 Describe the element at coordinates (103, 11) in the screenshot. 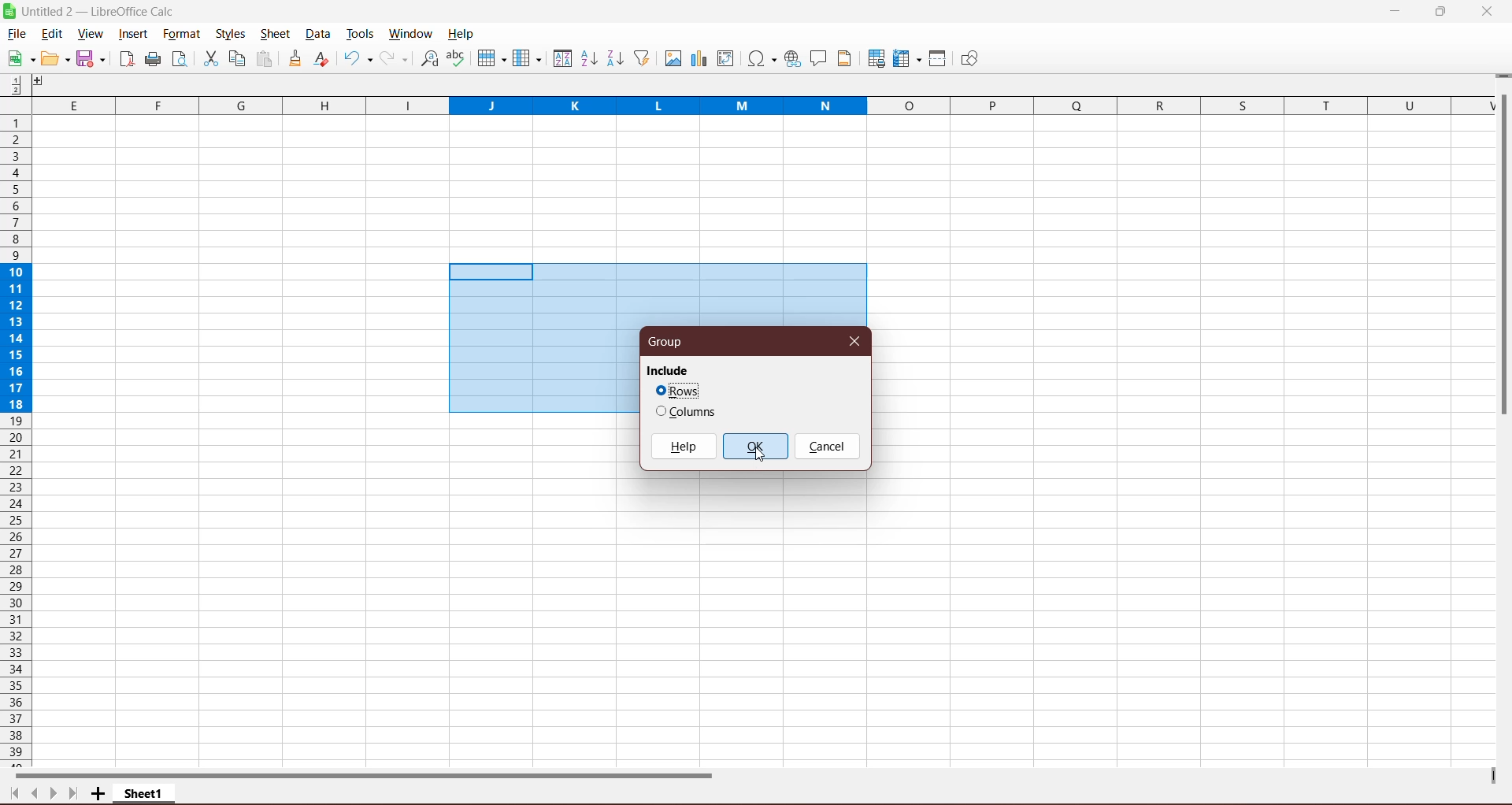

I see `Document Title - Application Name` at that location.